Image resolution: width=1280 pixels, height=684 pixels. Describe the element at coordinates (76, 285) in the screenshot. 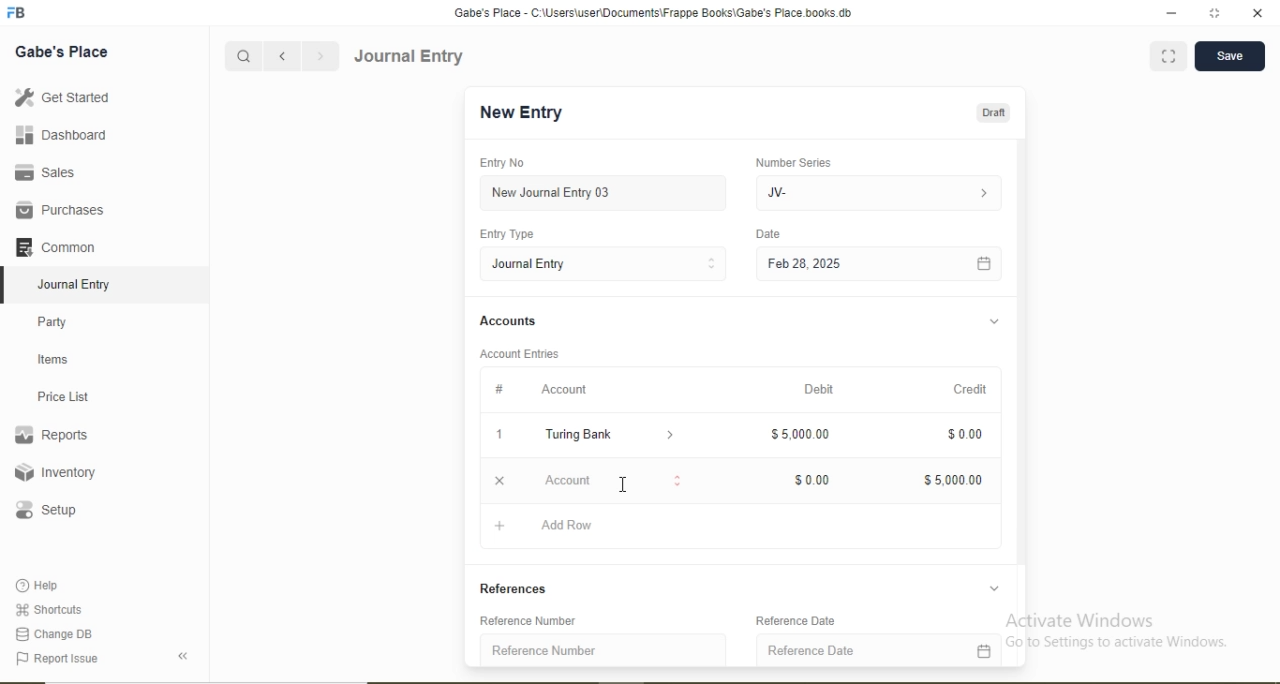

I see `Journal Entry` at that location.